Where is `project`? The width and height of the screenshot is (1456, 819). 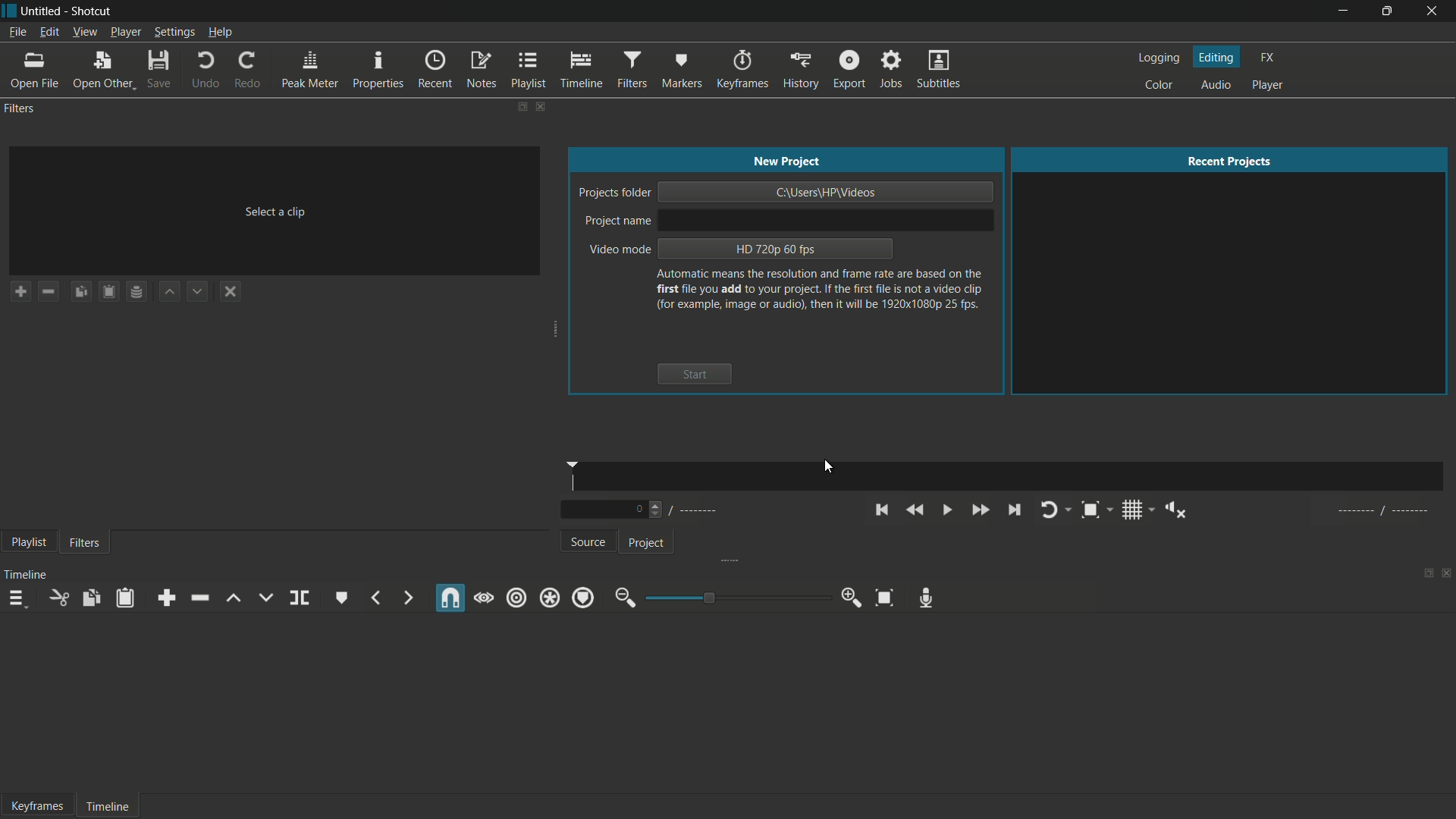
project is located at coordinates (645, 544).